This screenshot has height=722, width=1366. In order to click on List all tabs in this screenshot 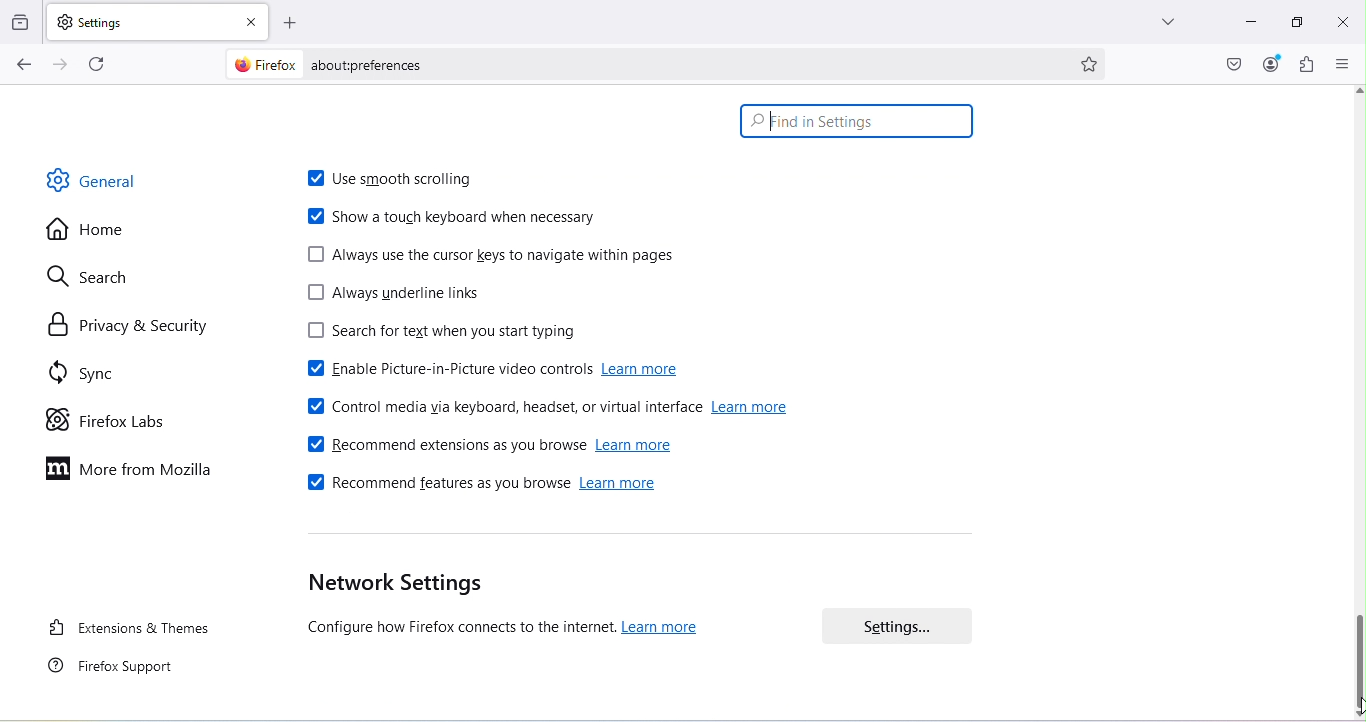, I will do `click(1159, 18)`.